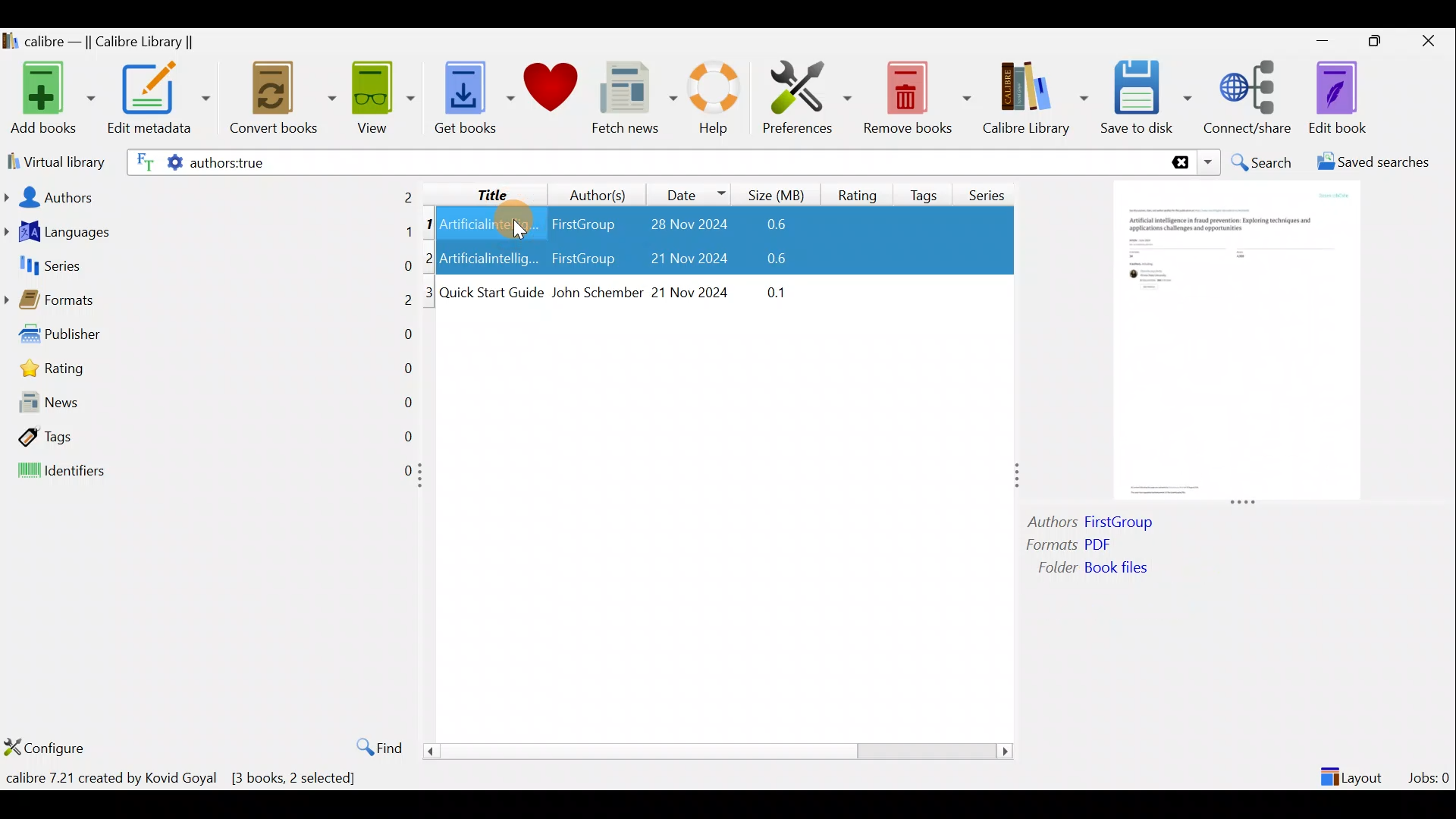 This screenshot has height=819, width=1456. What do you see at coordinates (1178, 163) in the screenshot?
I see `Clear search result` at bounding box center [1178, 163].